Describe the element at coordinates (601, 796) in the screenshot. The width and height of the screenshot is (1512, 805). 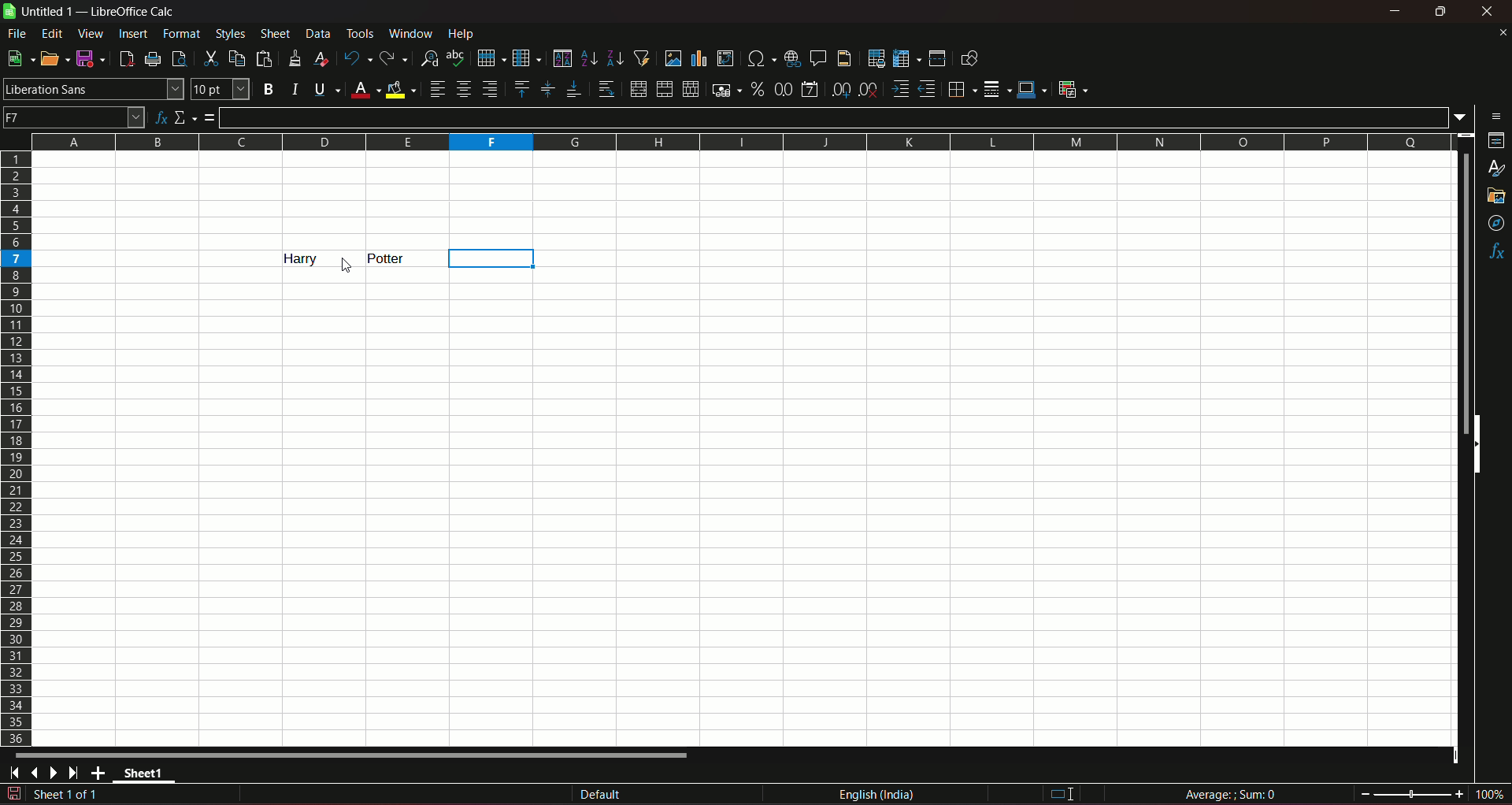
I see `default` at that location.